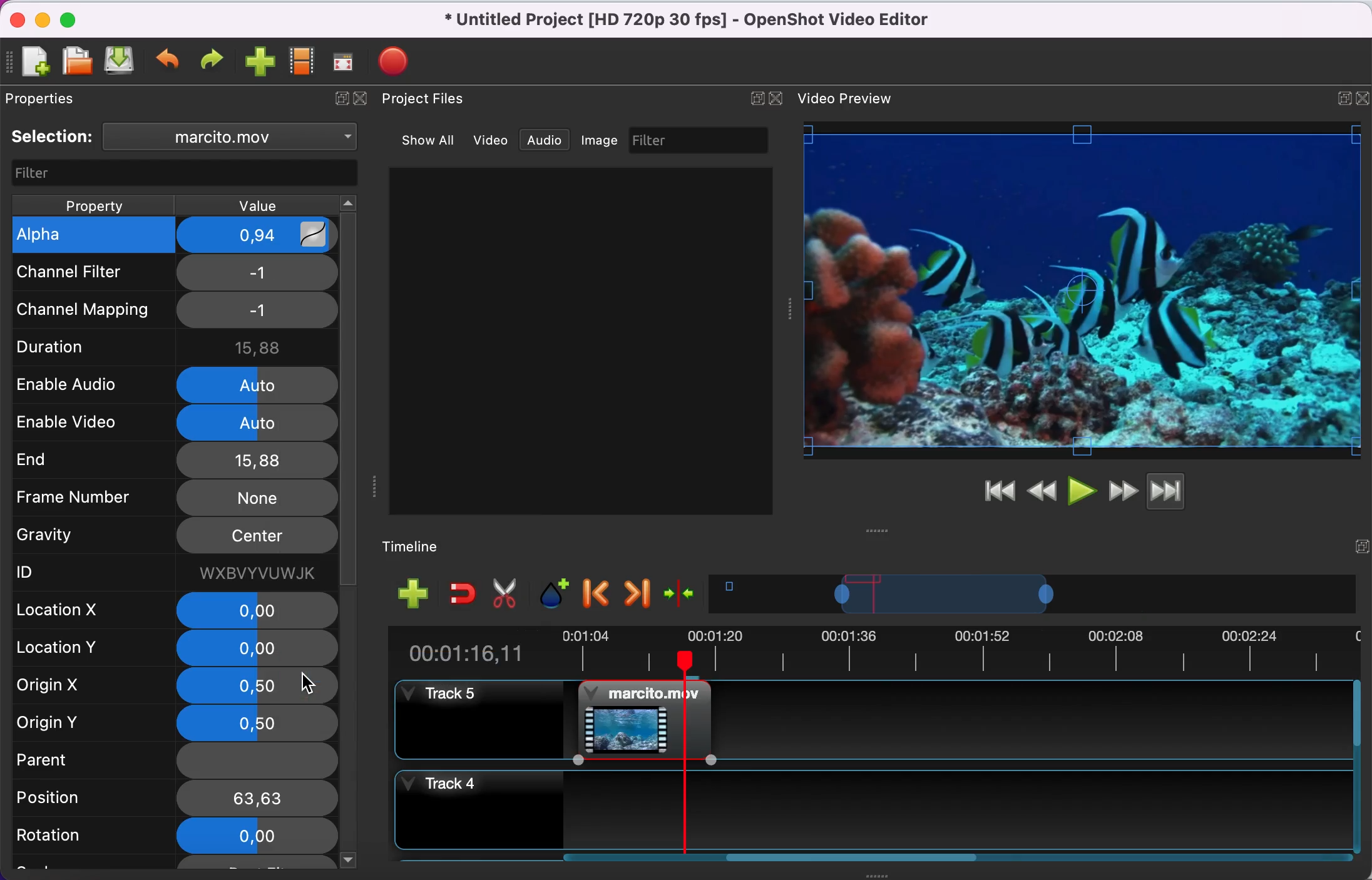 This screenshot has width=1372, height=880. What do you see at coordinates (376, 486) in the screenshot?
I see `move` at bounding box center [376, 486].